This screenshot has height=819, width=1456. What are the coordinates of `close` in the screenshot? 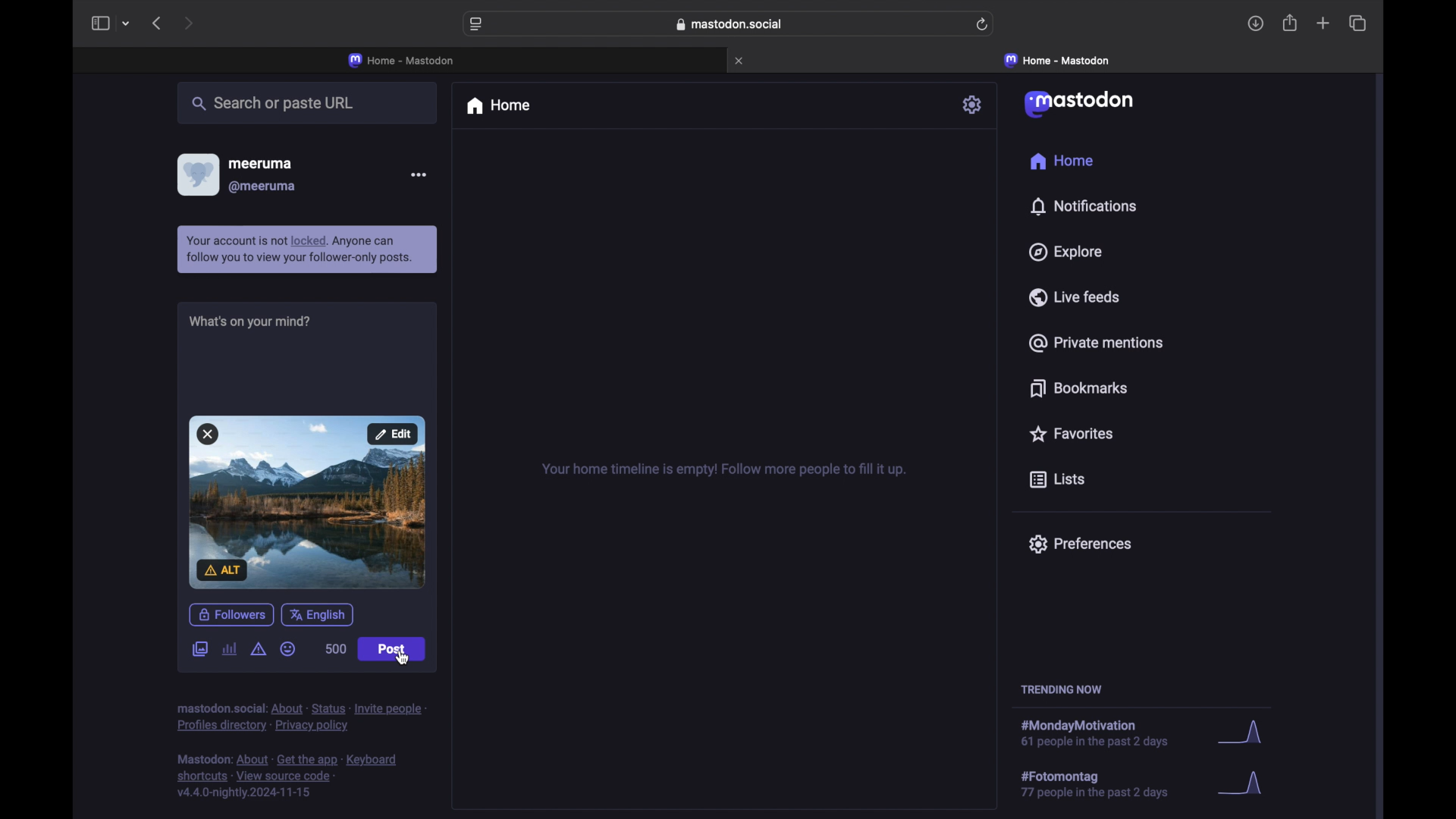 It's located at (742, 61).